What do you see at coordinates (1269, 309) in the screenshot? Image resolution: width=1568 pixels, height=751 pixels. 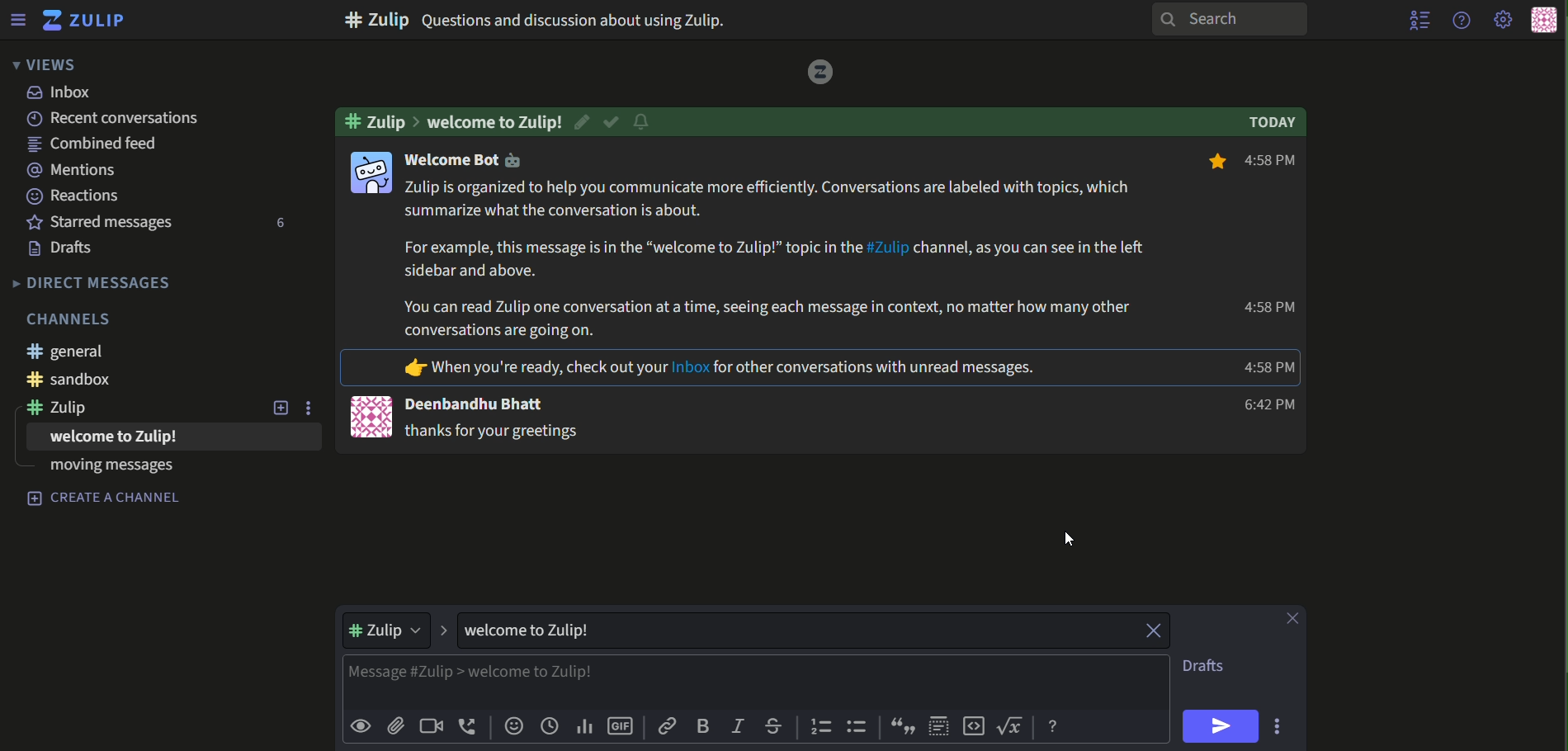 I see `text` at bounding box center [1269, 309].